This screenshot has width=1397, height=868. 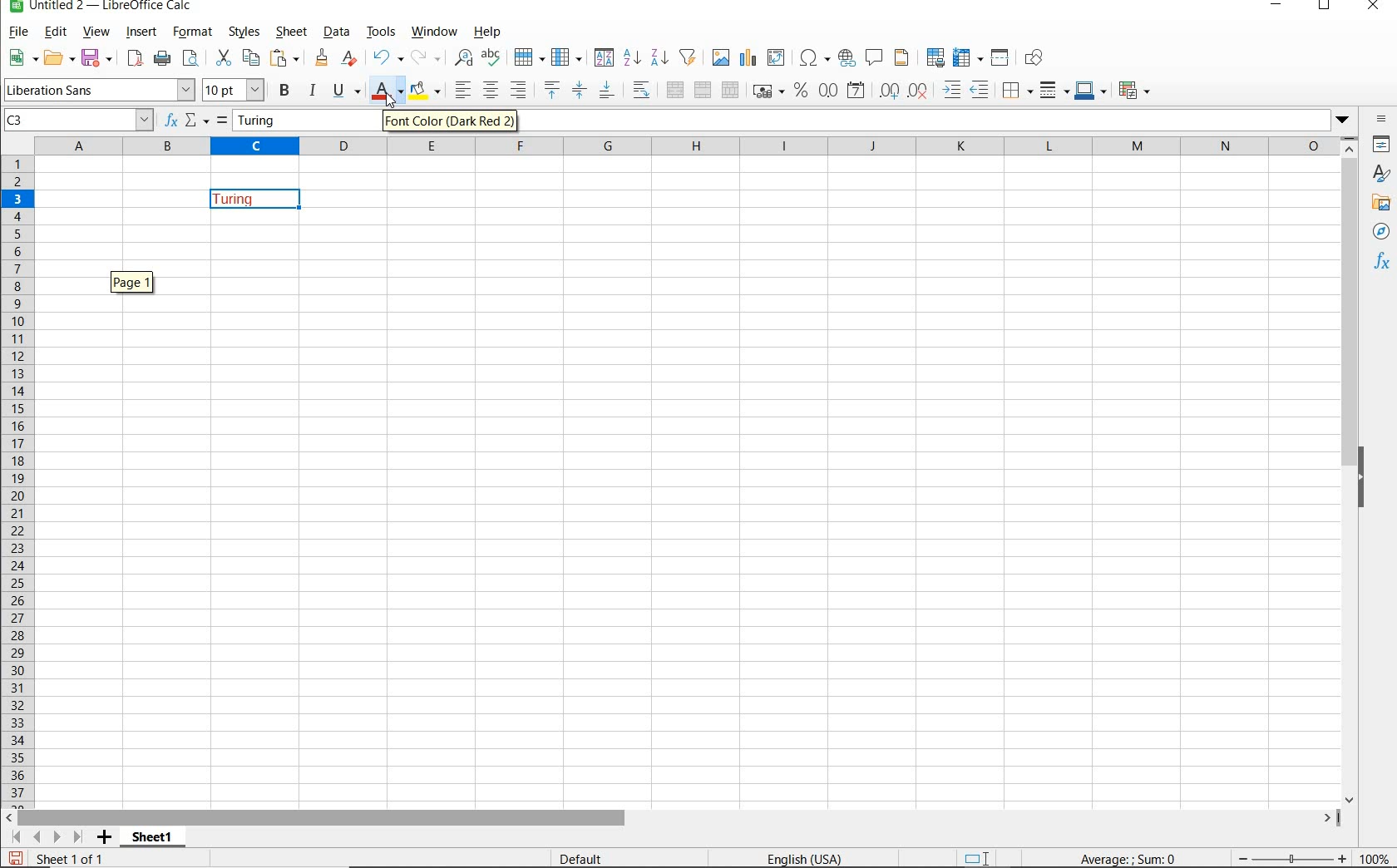 I want to click on BOLD, so click(x=287, y=89).